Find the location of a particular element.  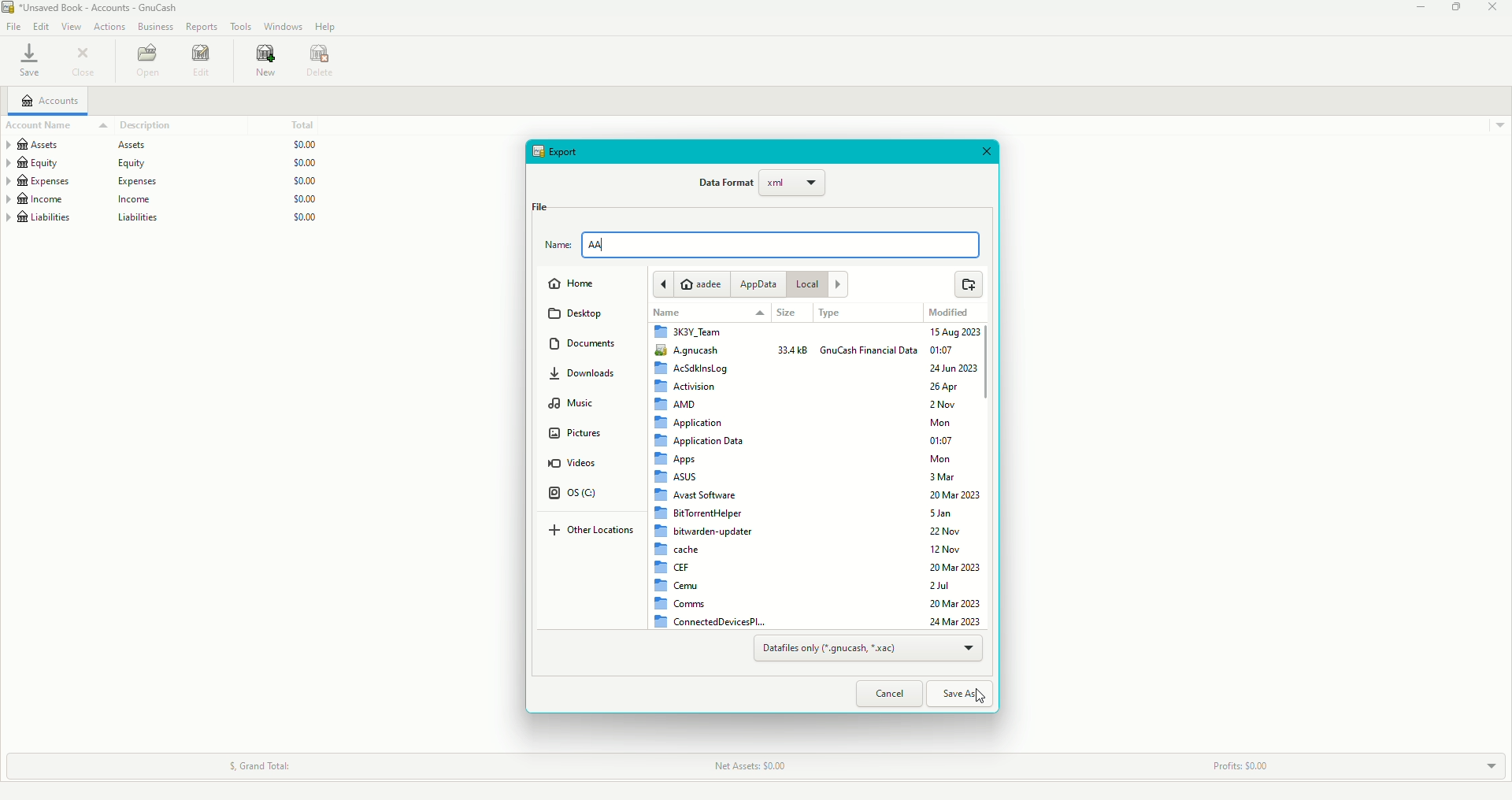

Data Format is located at coordinates (762, 187).